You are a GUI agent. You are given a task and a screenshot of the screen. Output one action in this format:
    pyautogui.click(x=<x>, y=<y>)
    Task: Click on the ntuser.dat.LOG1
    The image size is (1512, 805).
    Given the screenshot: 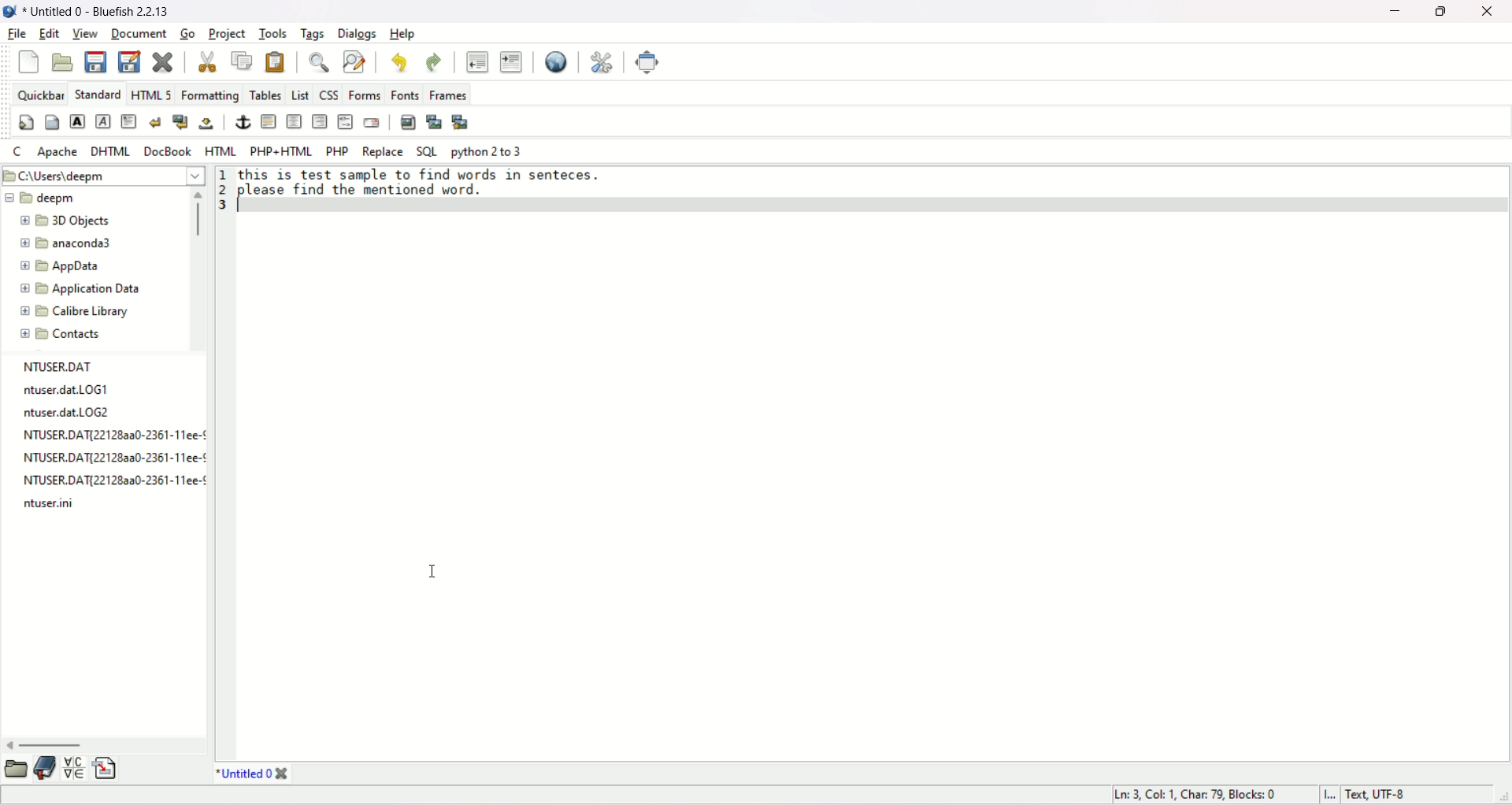 What is the action you would take?
    pyautogui.click(x=66, y=391)
    